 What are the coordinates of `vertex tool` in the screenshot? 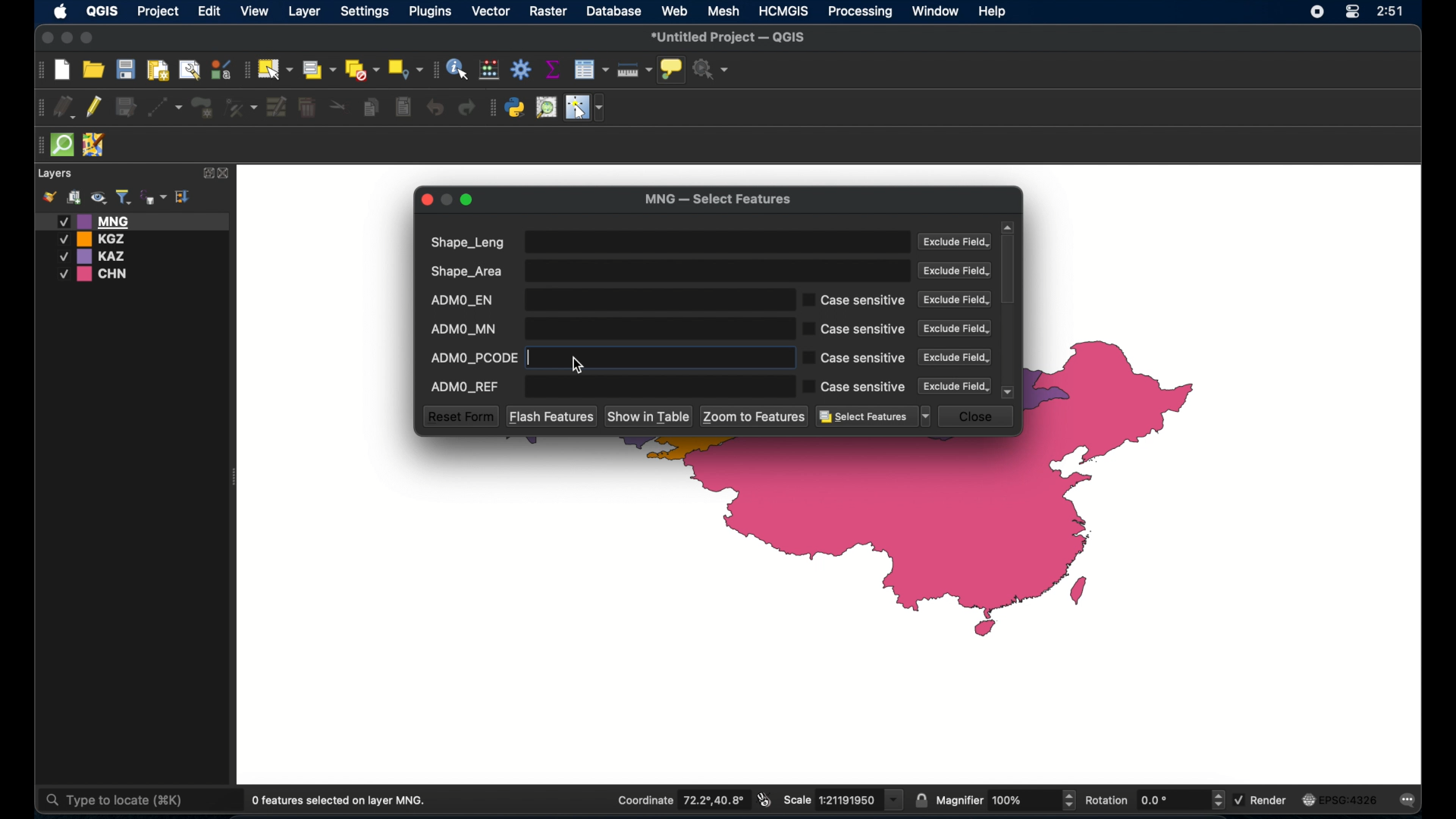 It's located at (242, 106).